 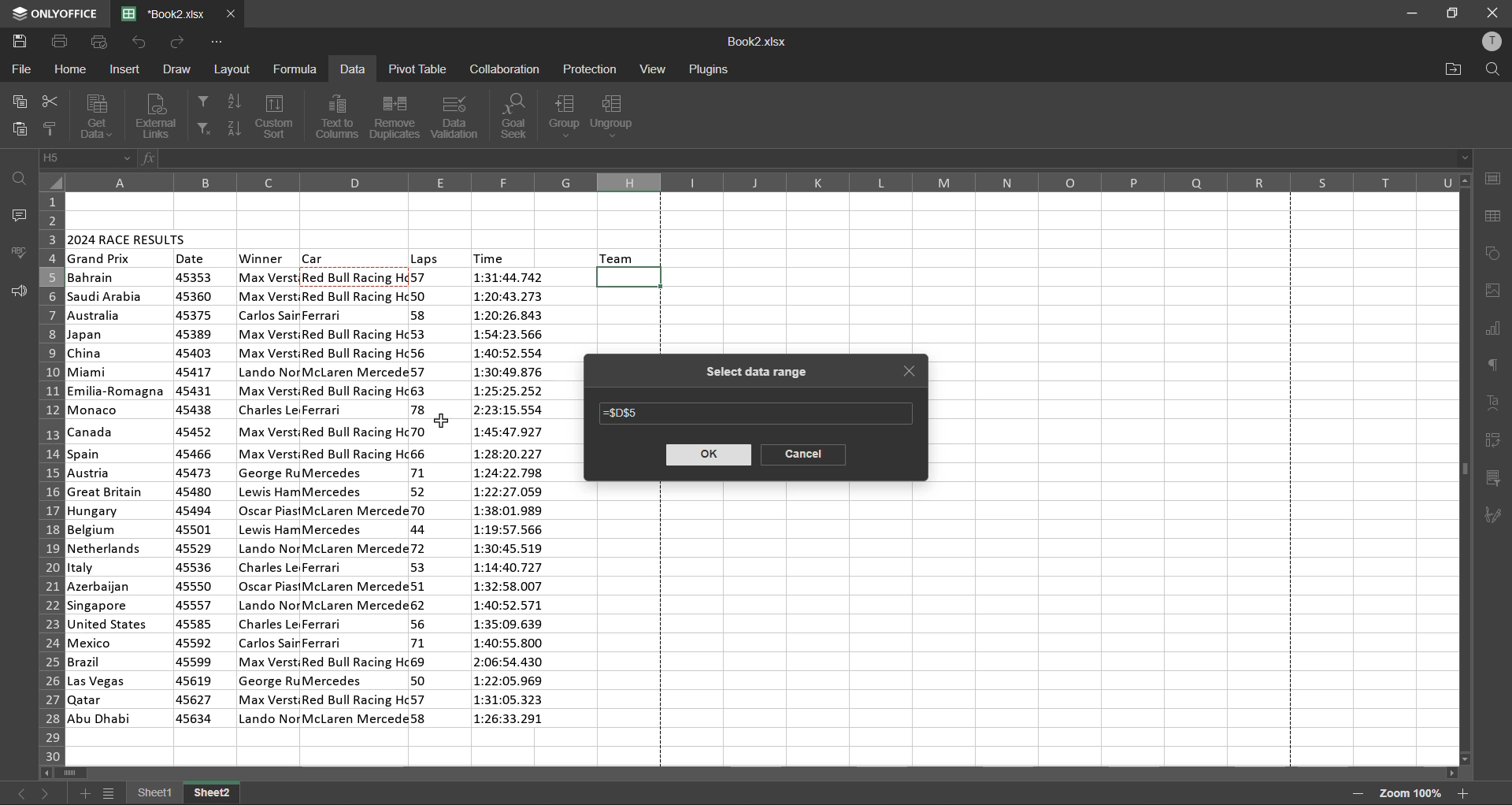 I want to click on shapes, so click(x=1494, y=254).